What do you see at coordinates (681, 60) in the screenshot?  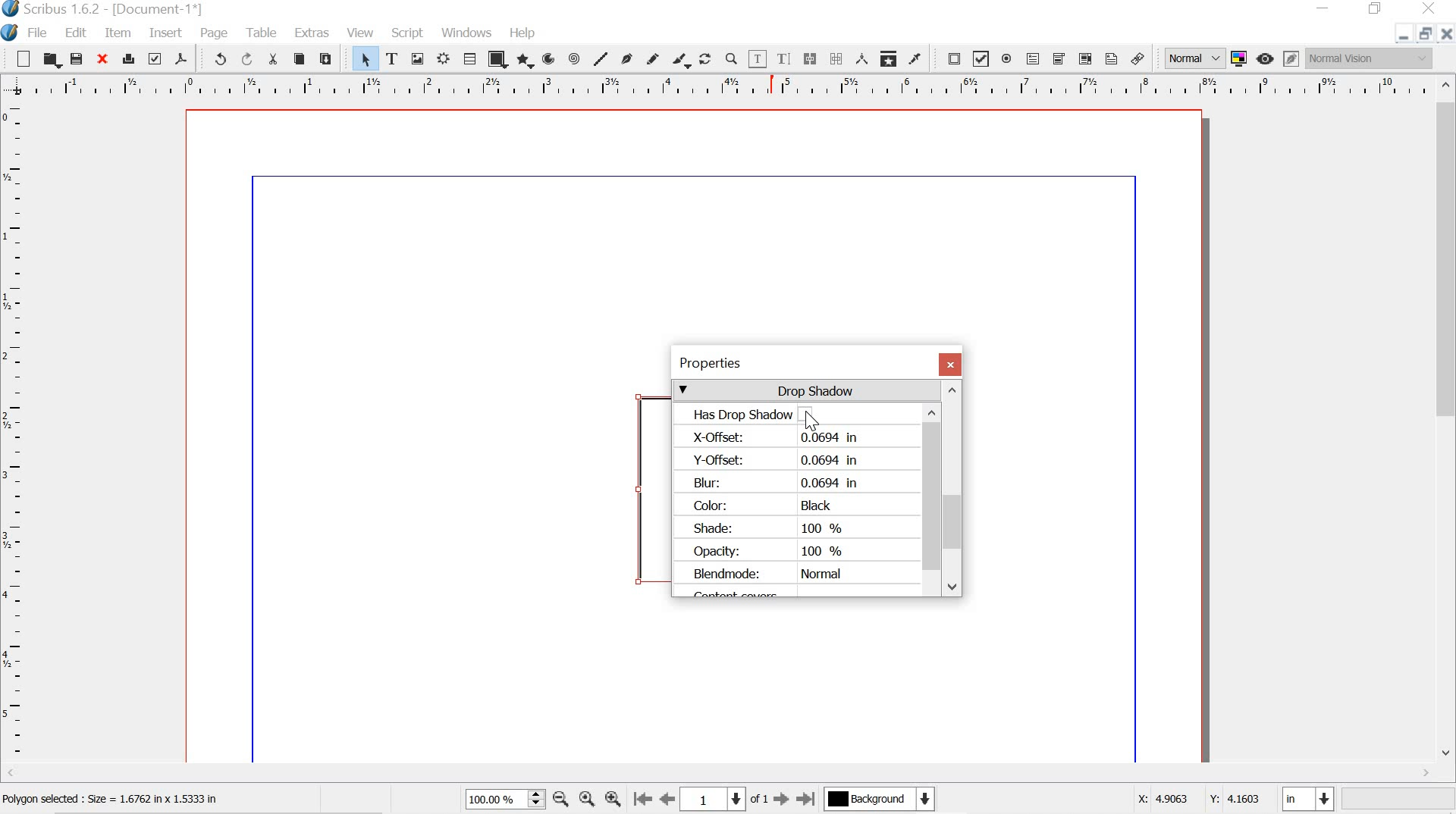 I see `calligraphic line` at bounding box center [681, 60].